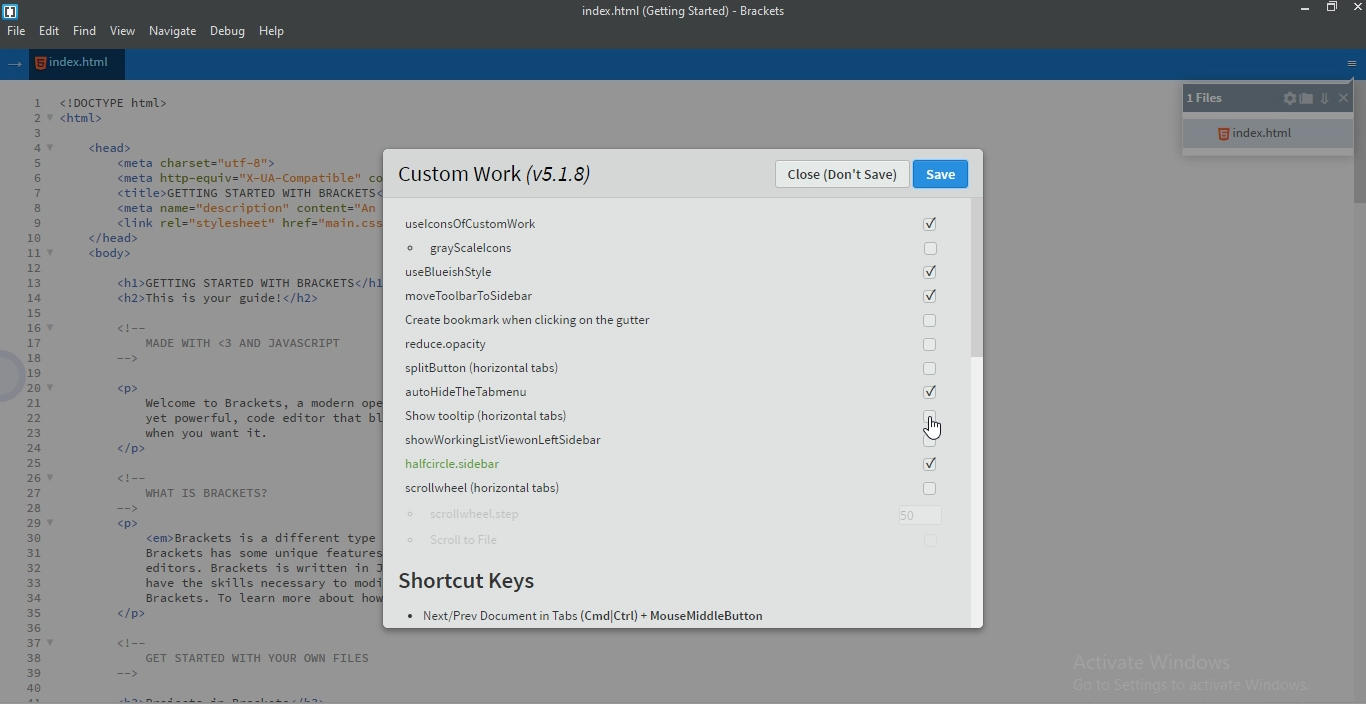 This screenshot has height=704, width=1366. I want to click on index.html (Getting Started) - Brackets, so click(693, 10).